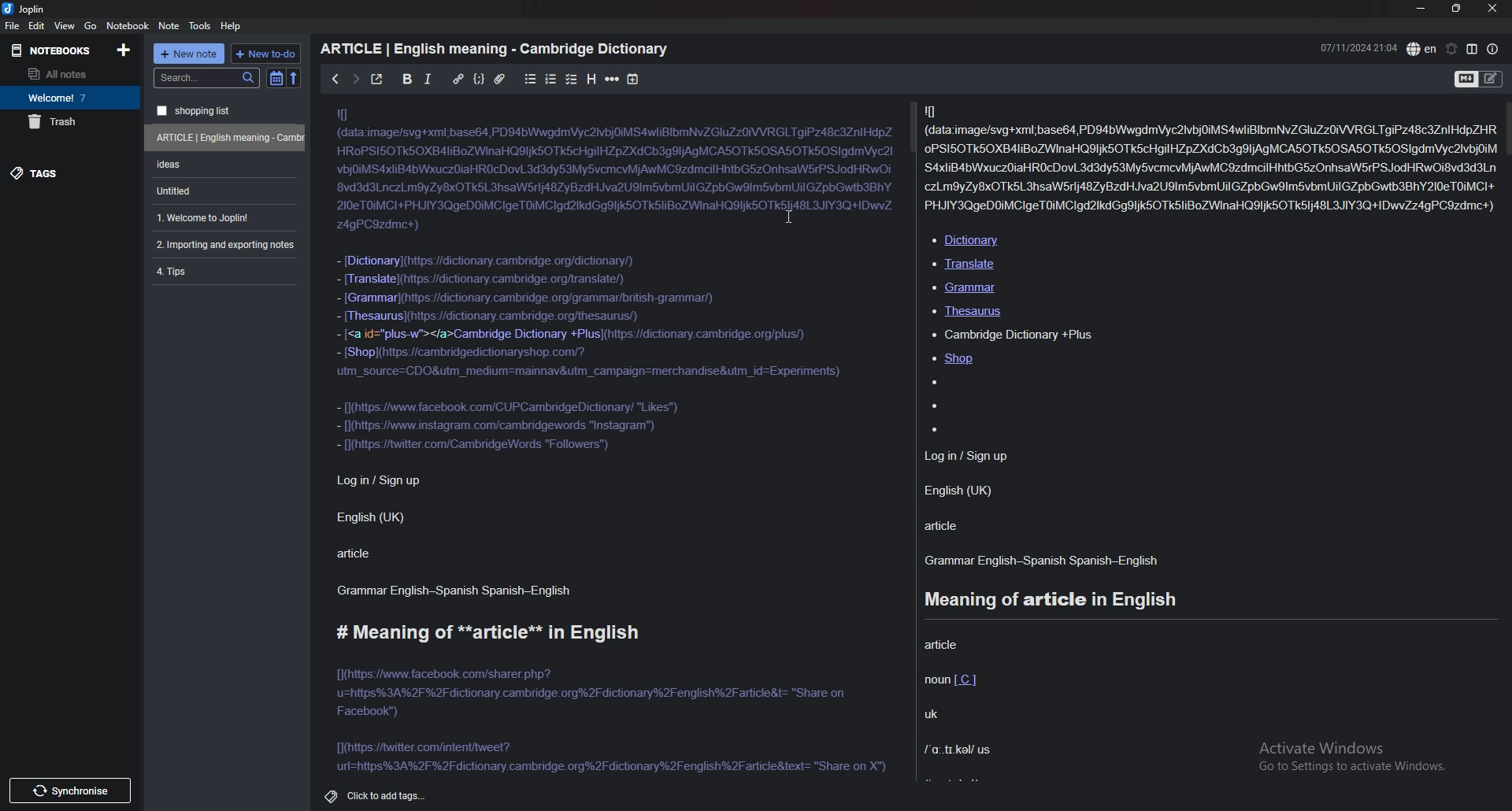 This screenshot has height=811, width=1512. I want to click on next, so click(356, 80).